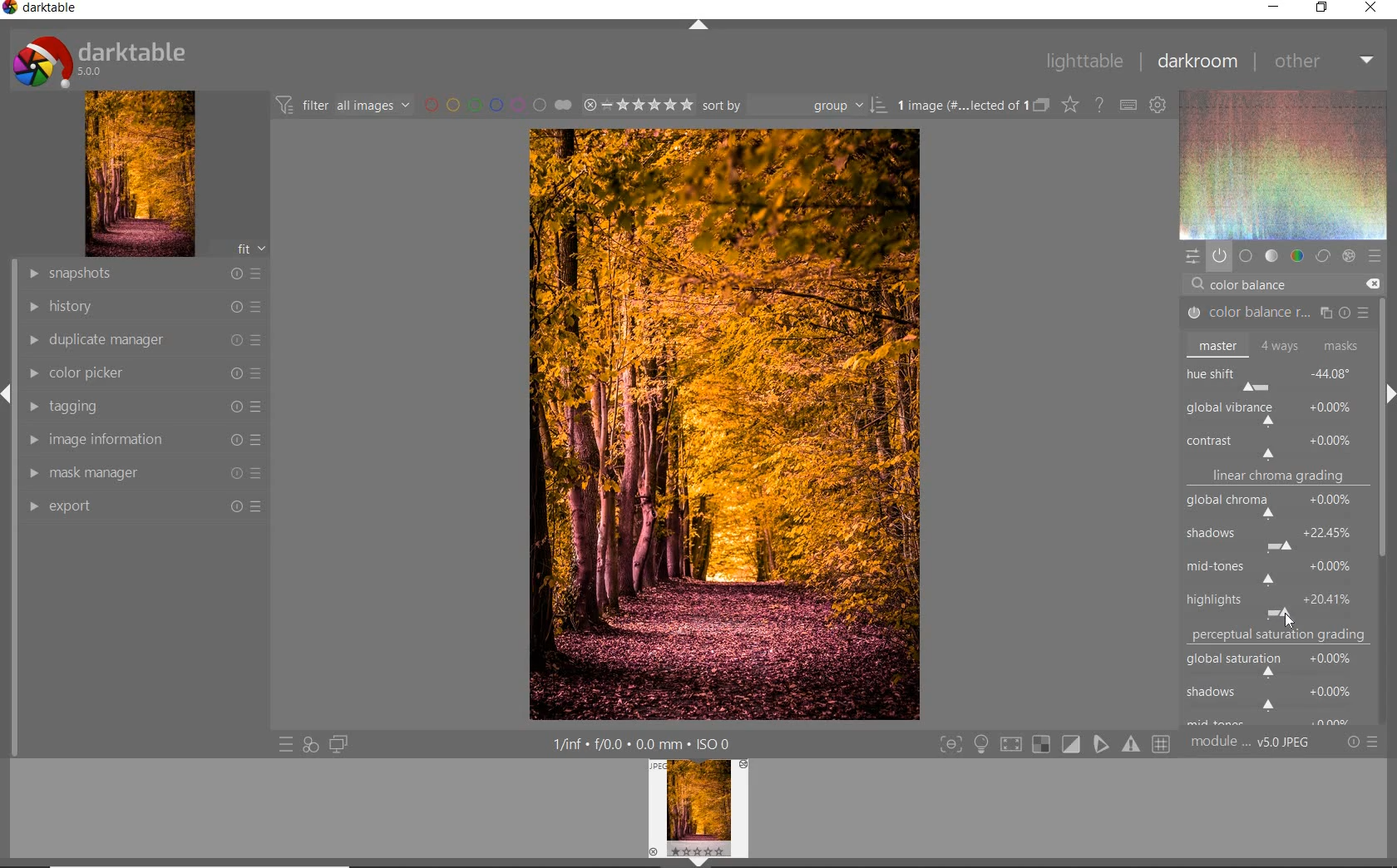 The height and width of the screenshot is (868, 1397). Describe the element at coordinates (1281, 635) in the screenshot. I see `perceptual saturation grading` at that location.